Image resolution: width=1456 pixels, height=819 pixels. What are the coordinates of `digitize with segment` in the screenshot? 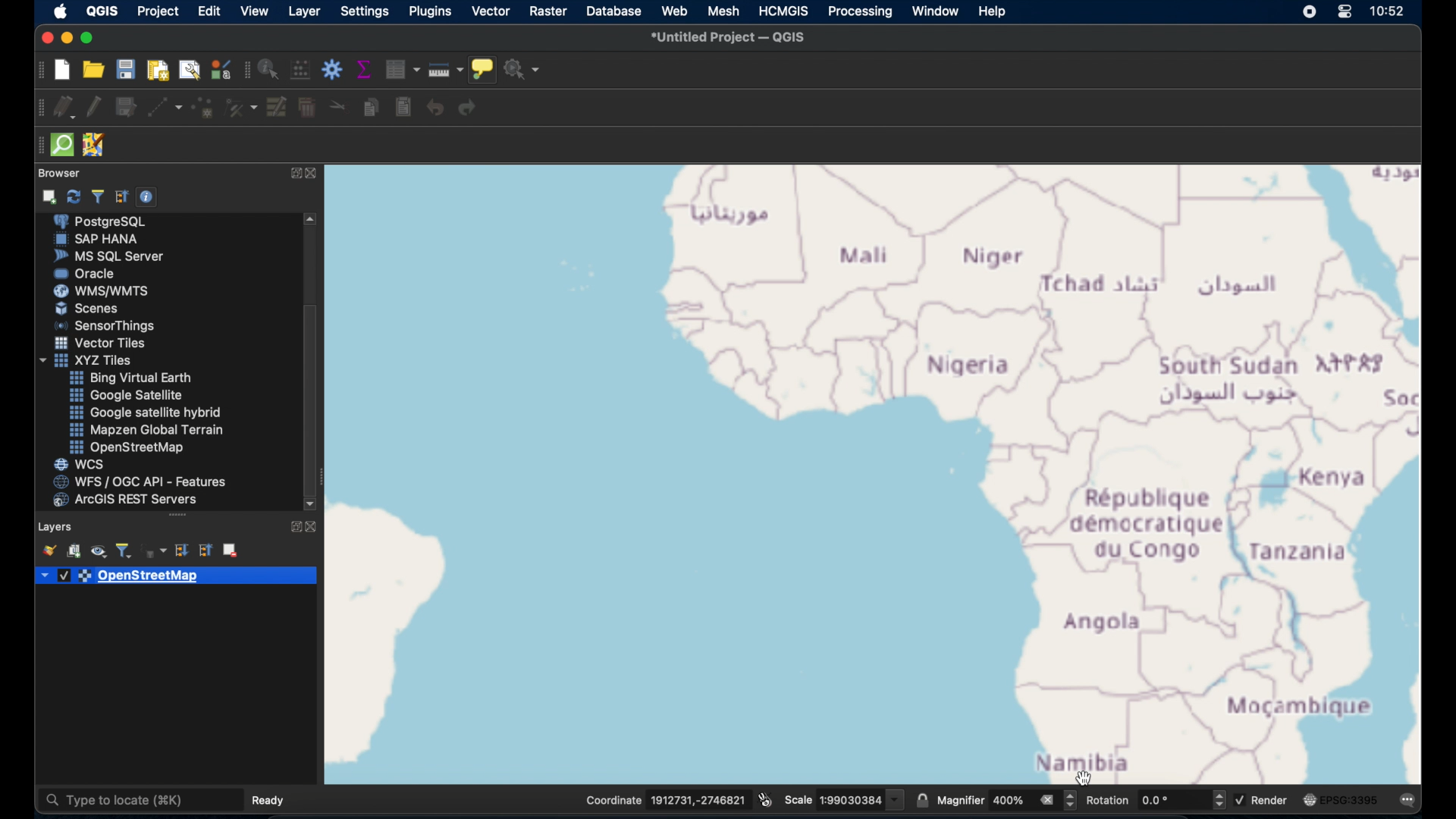 It's located at (163, 110).